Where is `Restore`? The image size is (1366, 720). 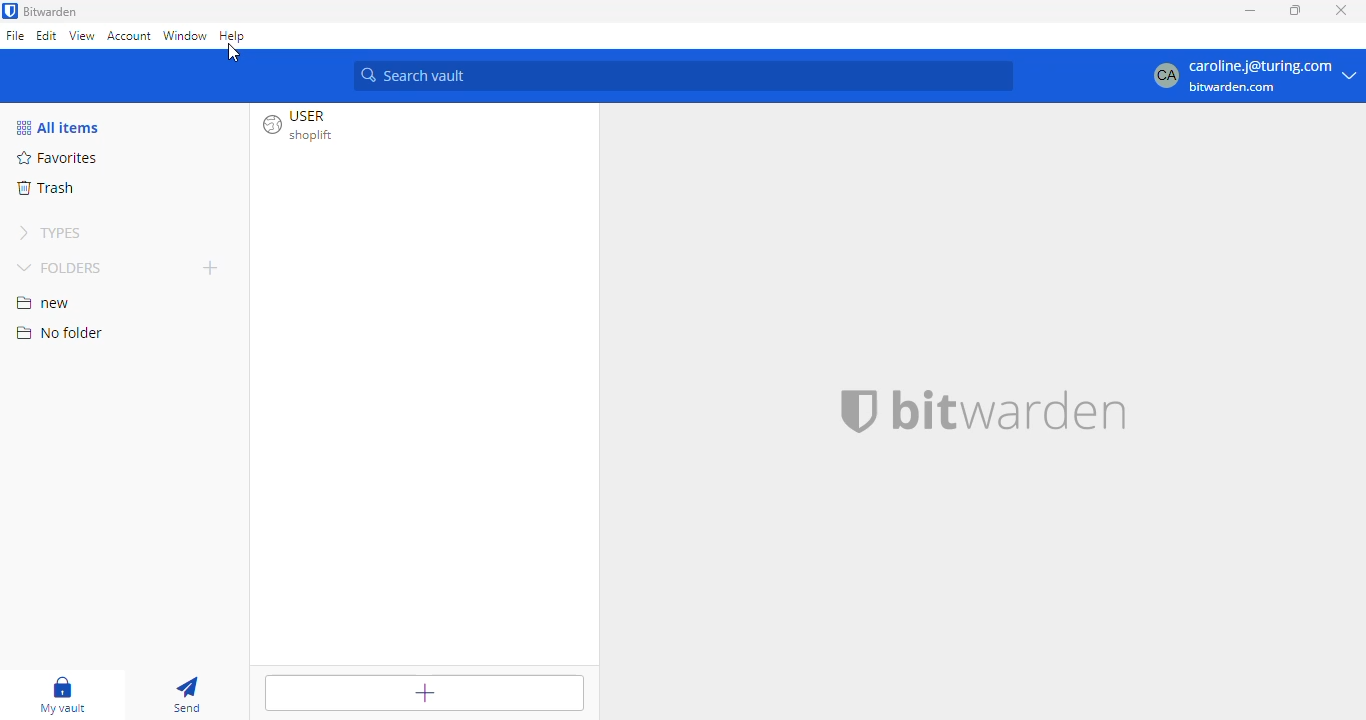 Restore is located at coordinates (1295, 11).